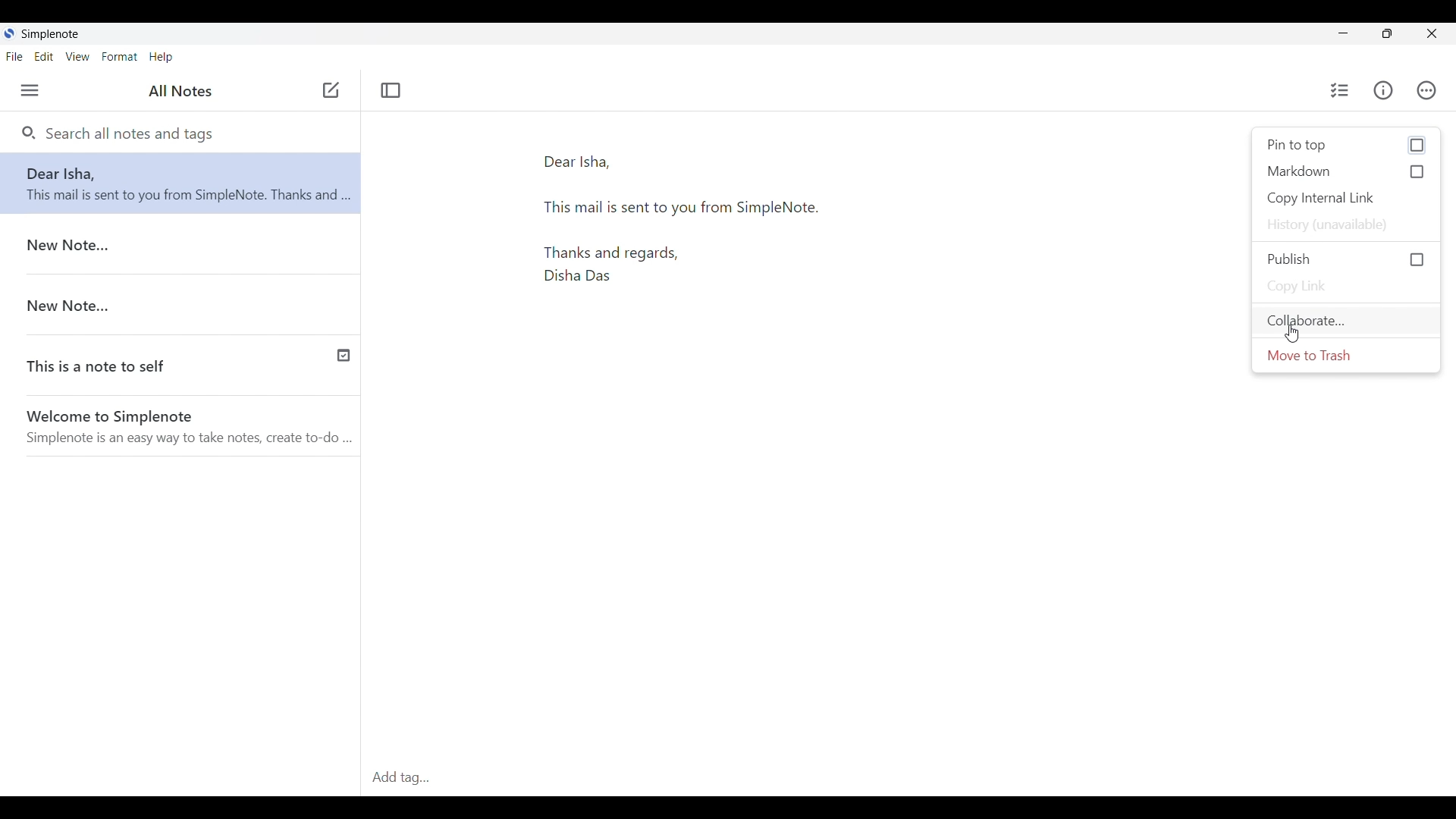  I want to click on Search all notes and tags, so click(128, 133).